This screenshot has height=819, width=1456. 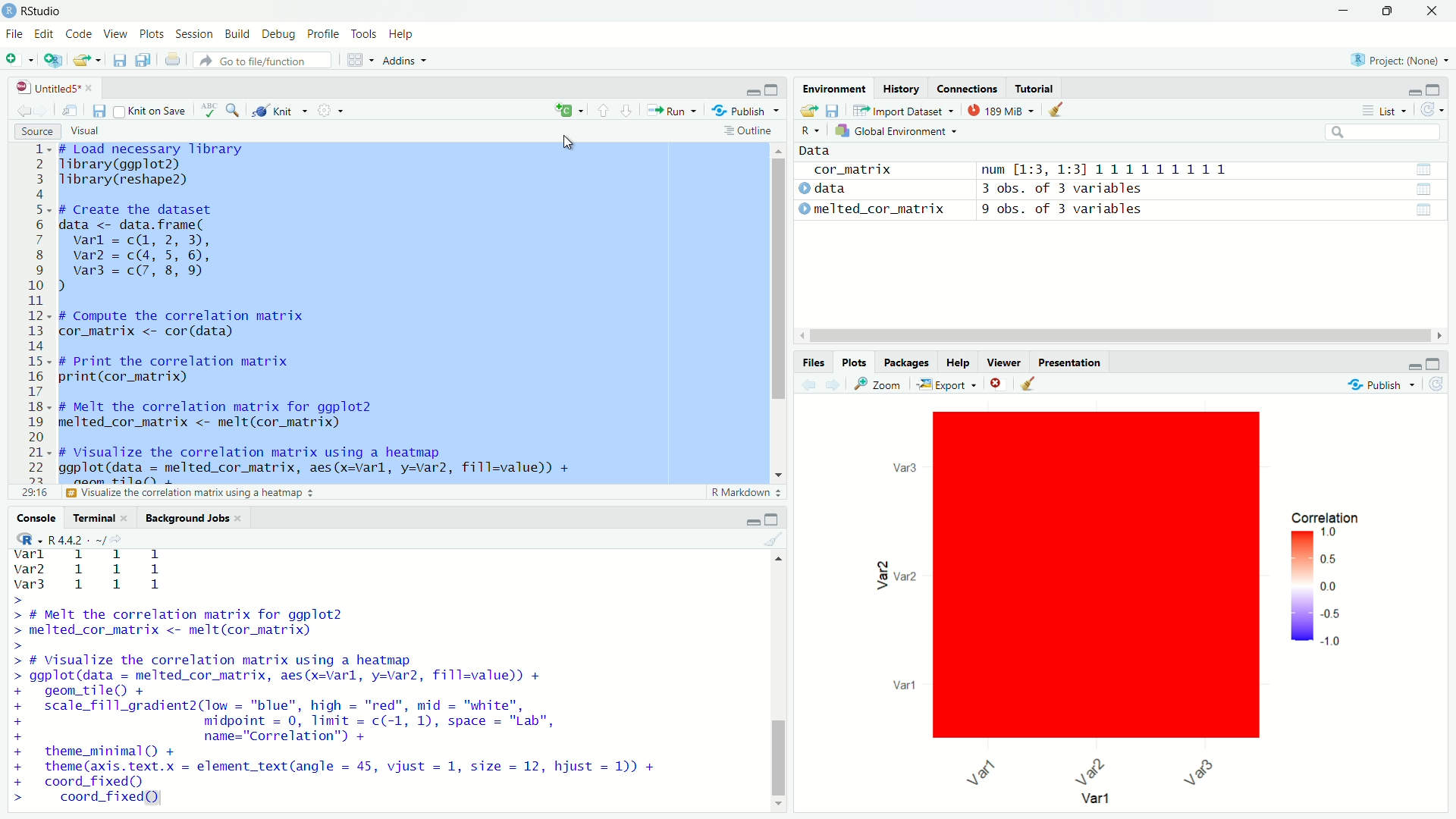 What do you see at coordinates (570, 111) in the screenshot?
I see `language select` at bounding box center [570, 111].